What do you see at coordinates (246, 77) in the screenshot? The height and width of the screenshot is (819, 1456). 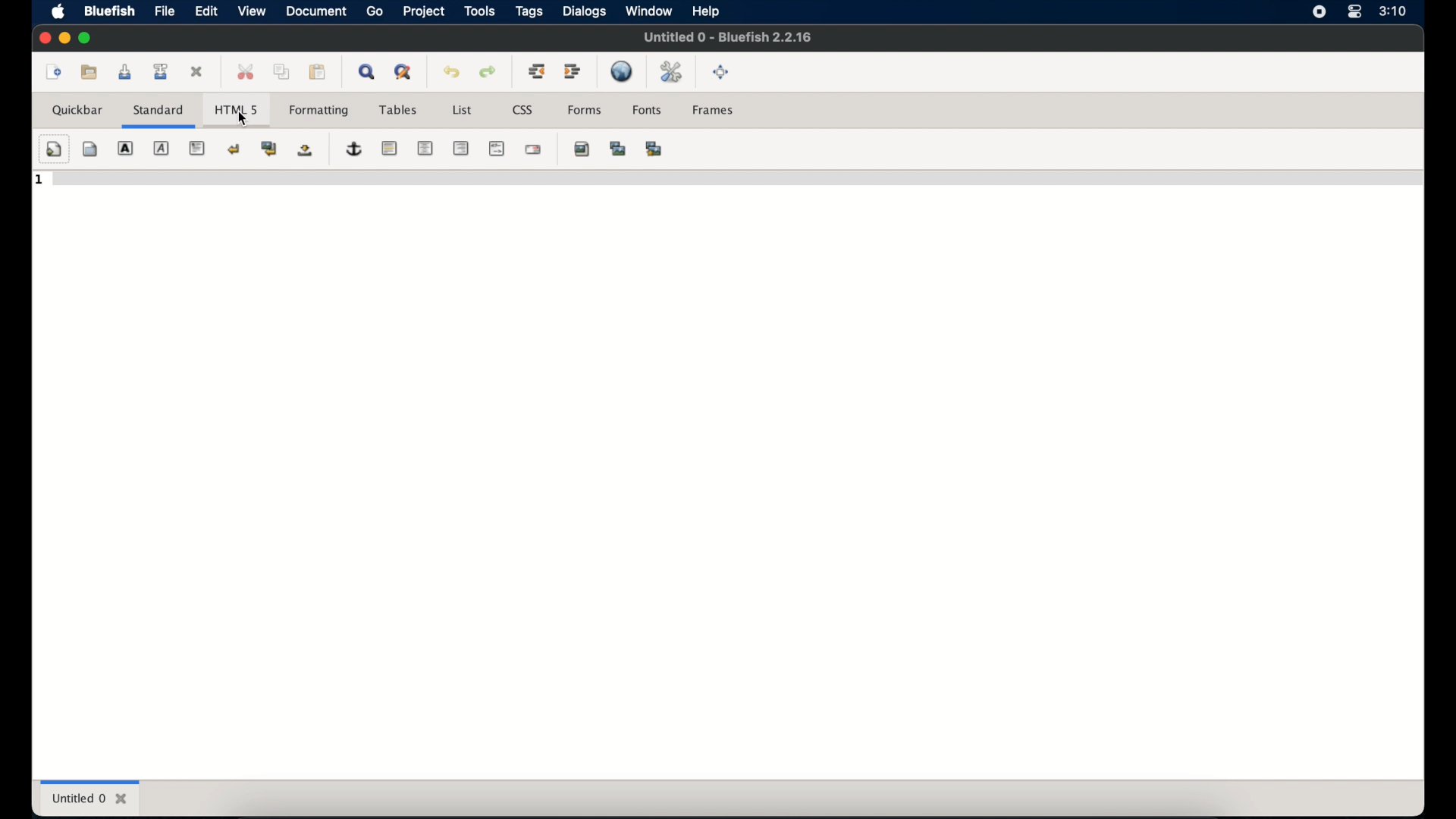 I see `cut` at bounding box center [246, 77].